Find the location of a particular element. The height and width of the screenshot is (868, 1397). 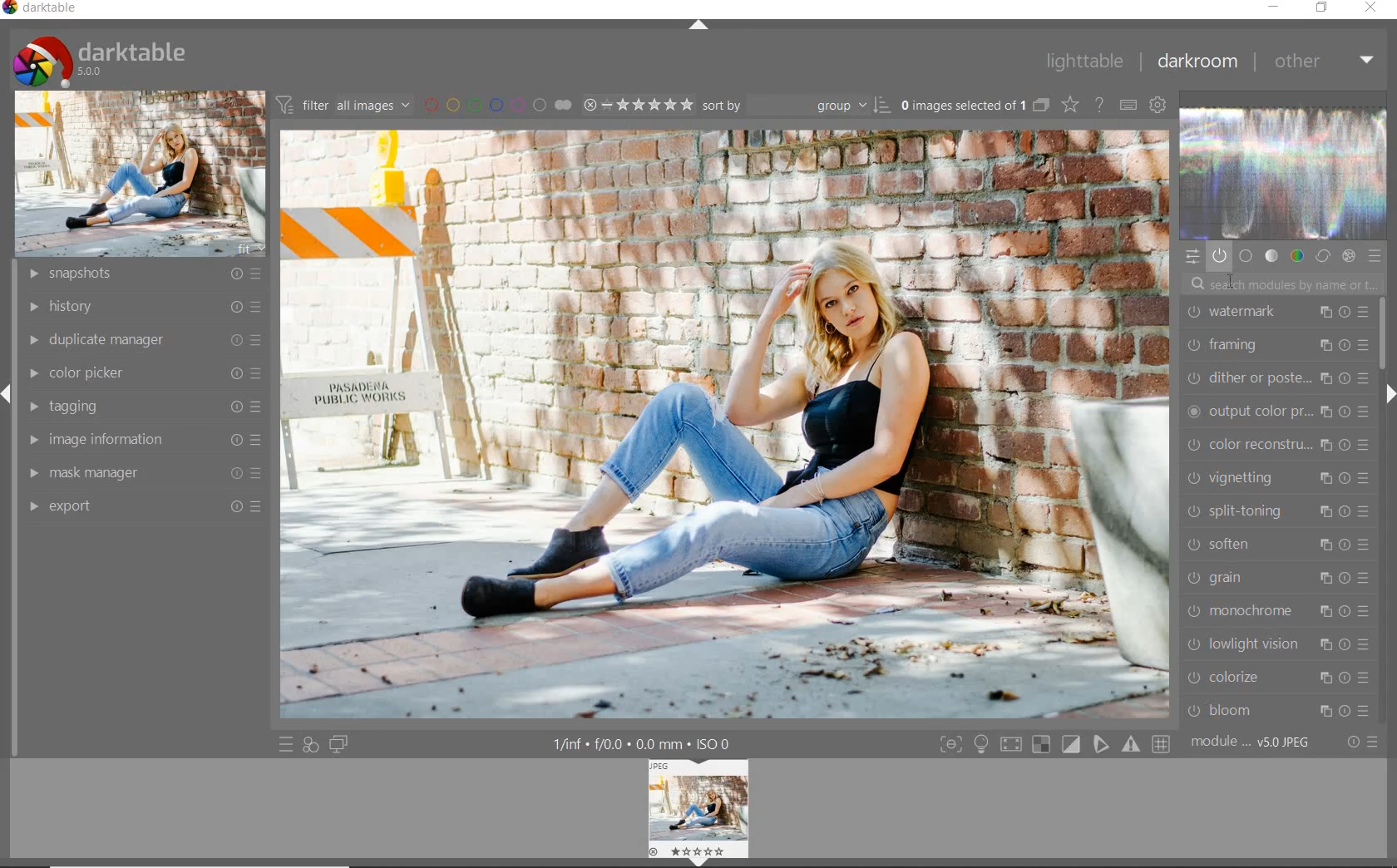

quick access to presets is located at coordinates (287, 745).